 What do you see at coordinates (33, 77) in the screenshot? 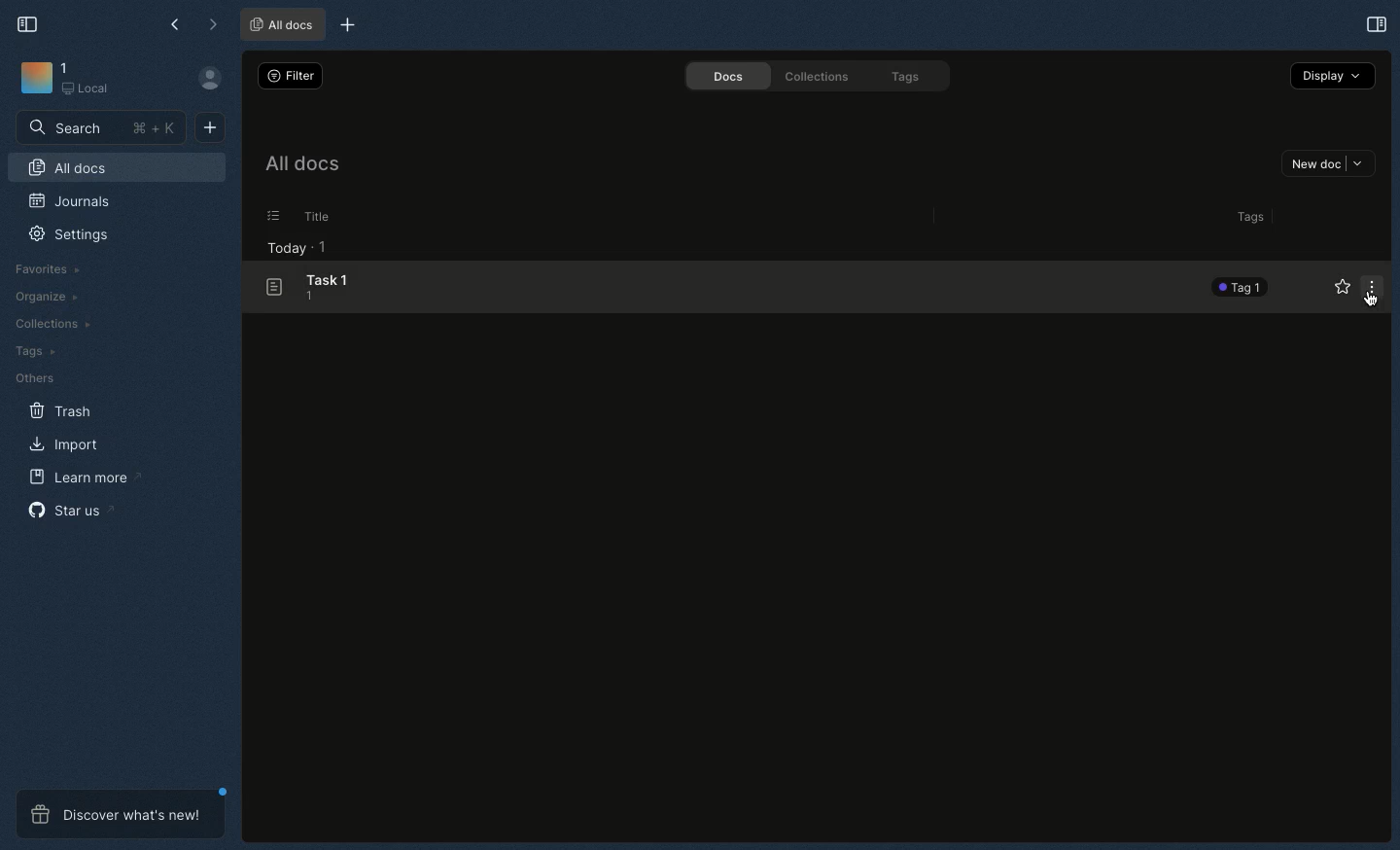
I see `Icon` at bounding box center [33, 77].